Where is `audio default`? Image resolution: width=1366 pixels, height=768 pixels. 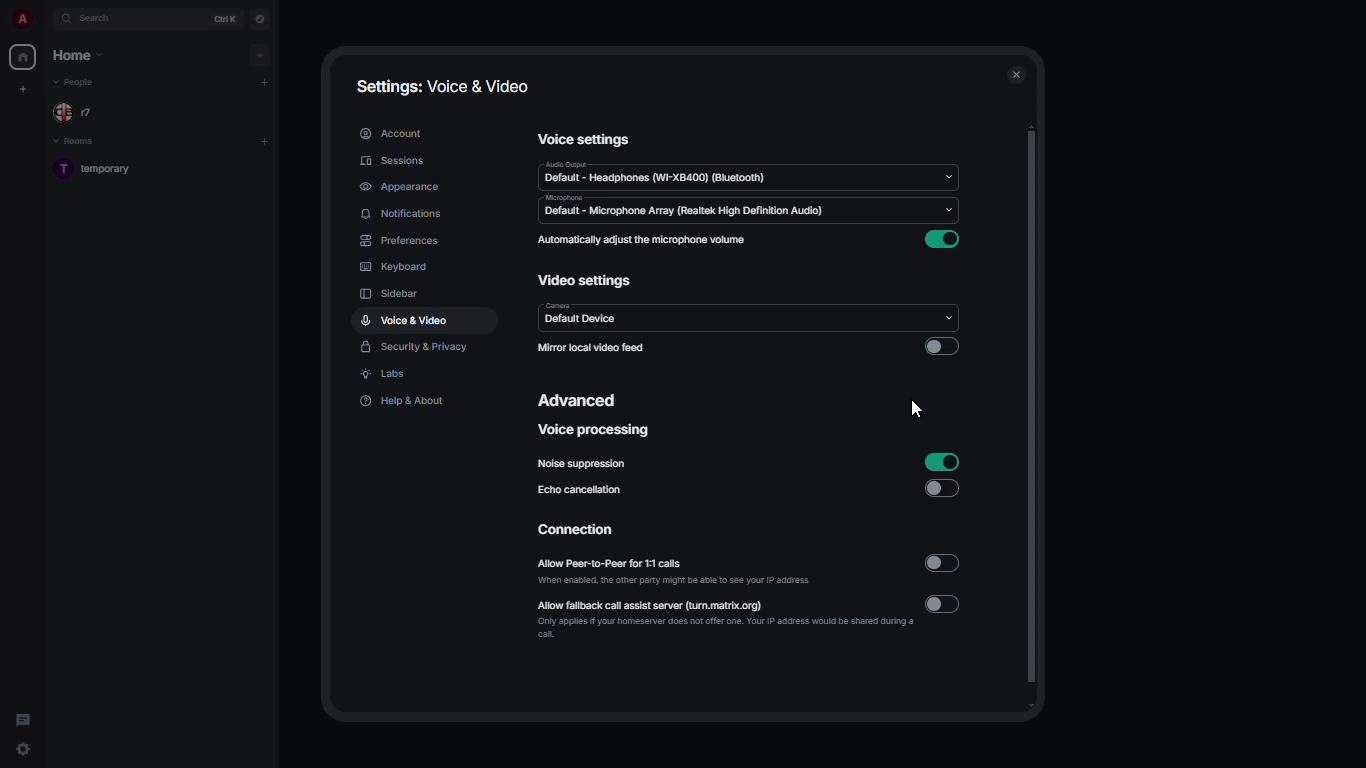 audio default is located at coordinates (656, 174).